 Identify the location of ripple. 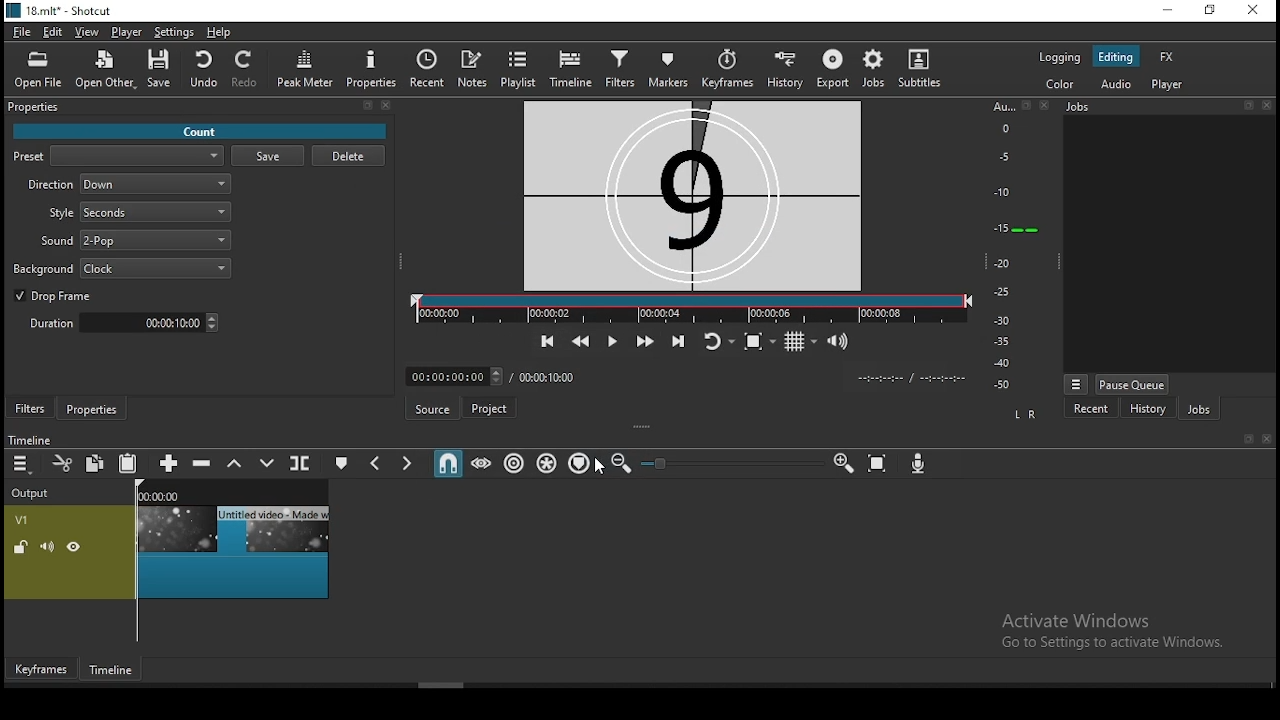
(511, 463).